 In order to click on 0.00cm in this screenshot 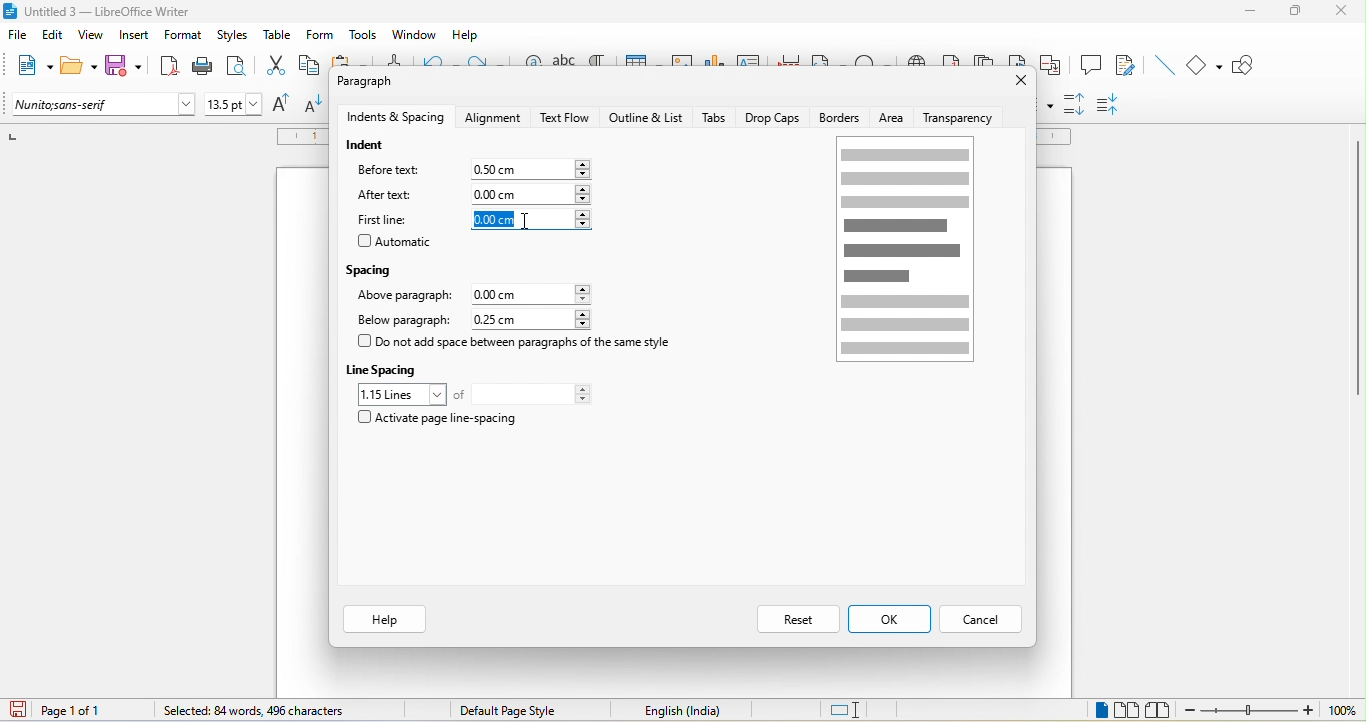, I will do `click(518, 221)`.